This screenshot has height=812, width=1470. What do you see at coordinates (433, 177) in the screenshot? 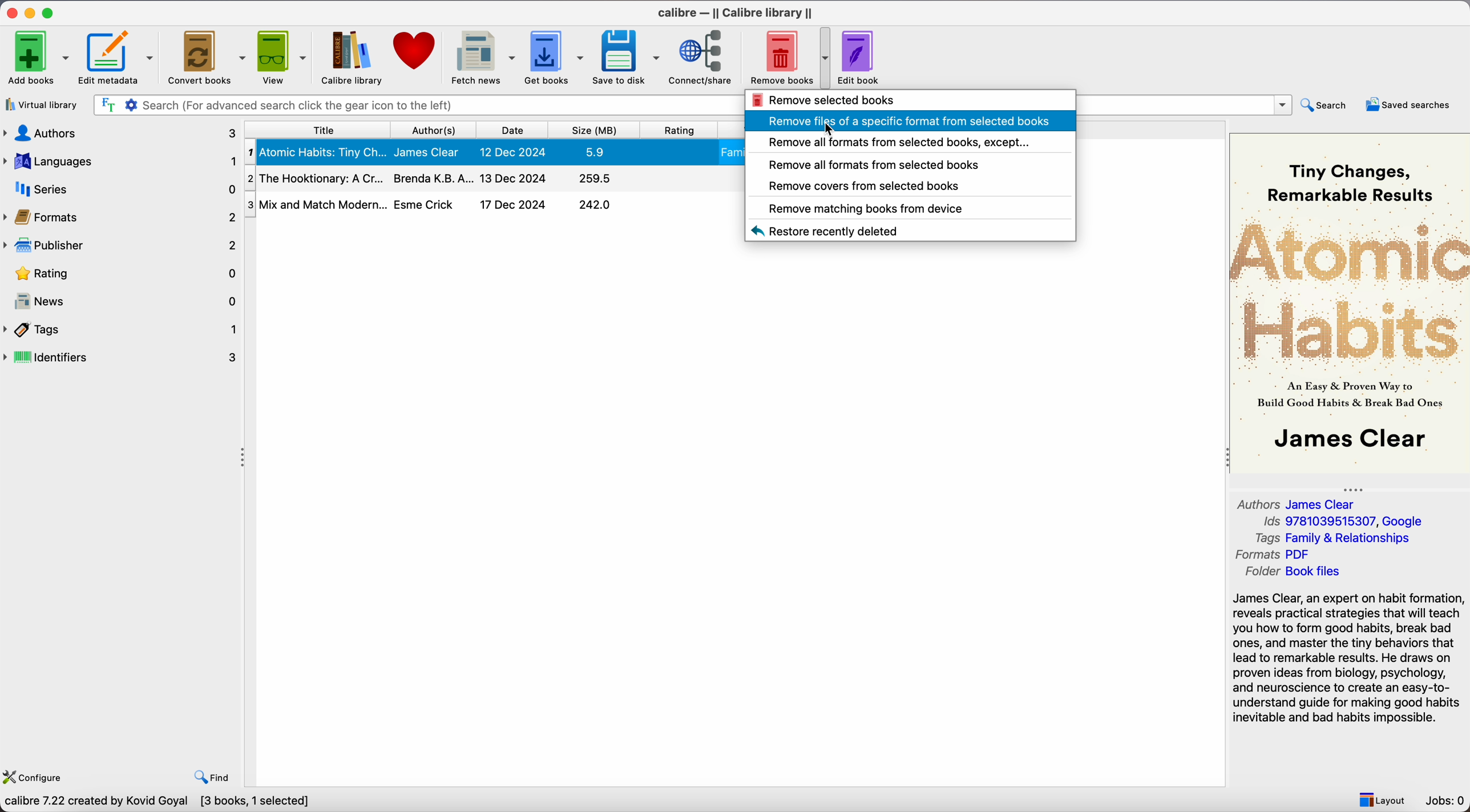
I see `Brenda K.B.A...` at bounding box center [433, 177].